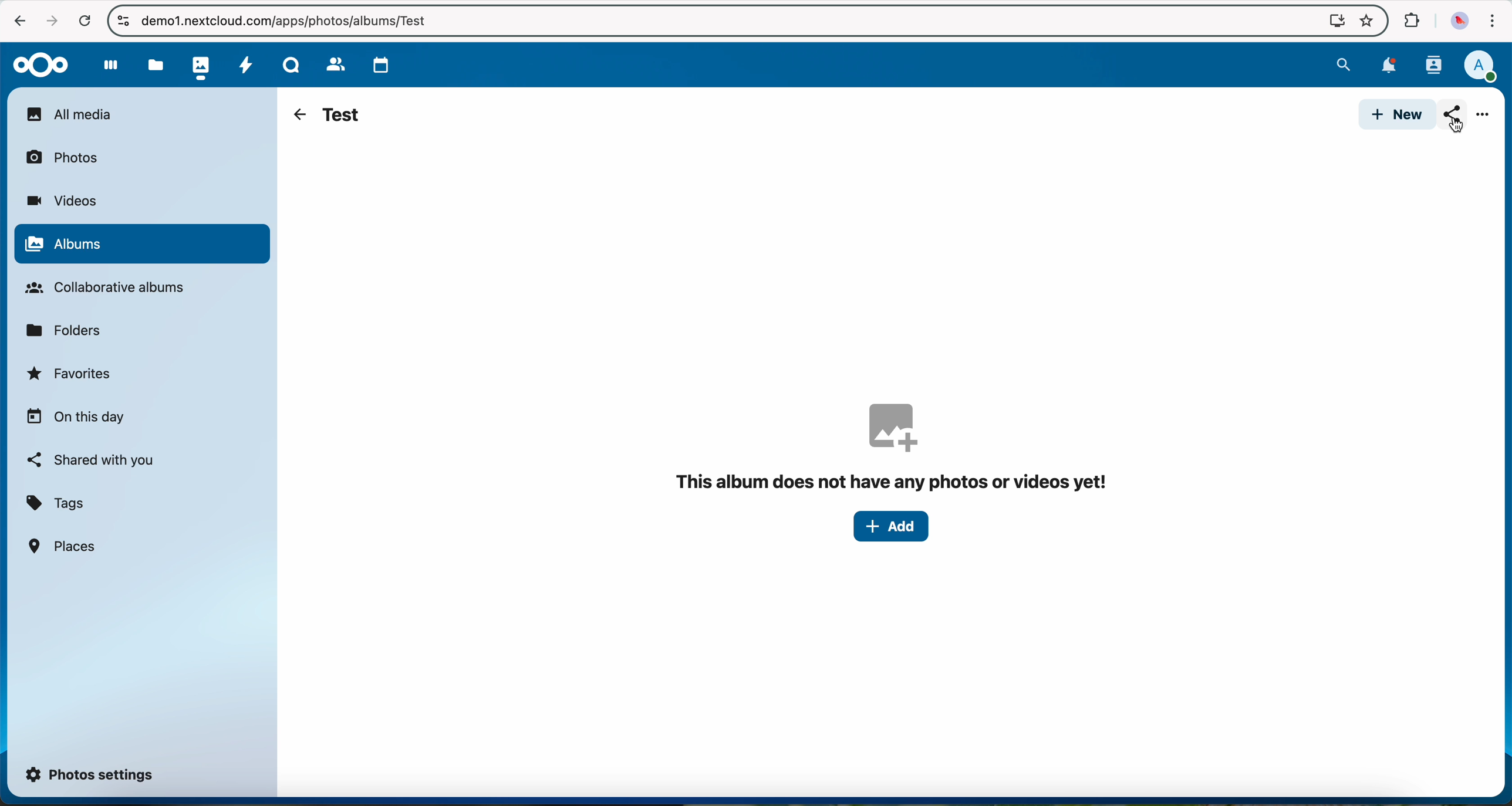 Image resolution: width=1512 pixels, height=806 pixels. What do you see at coordinates (1331, 20) in the screenshot?
I see `screen` at bounding box center [1331, 20].